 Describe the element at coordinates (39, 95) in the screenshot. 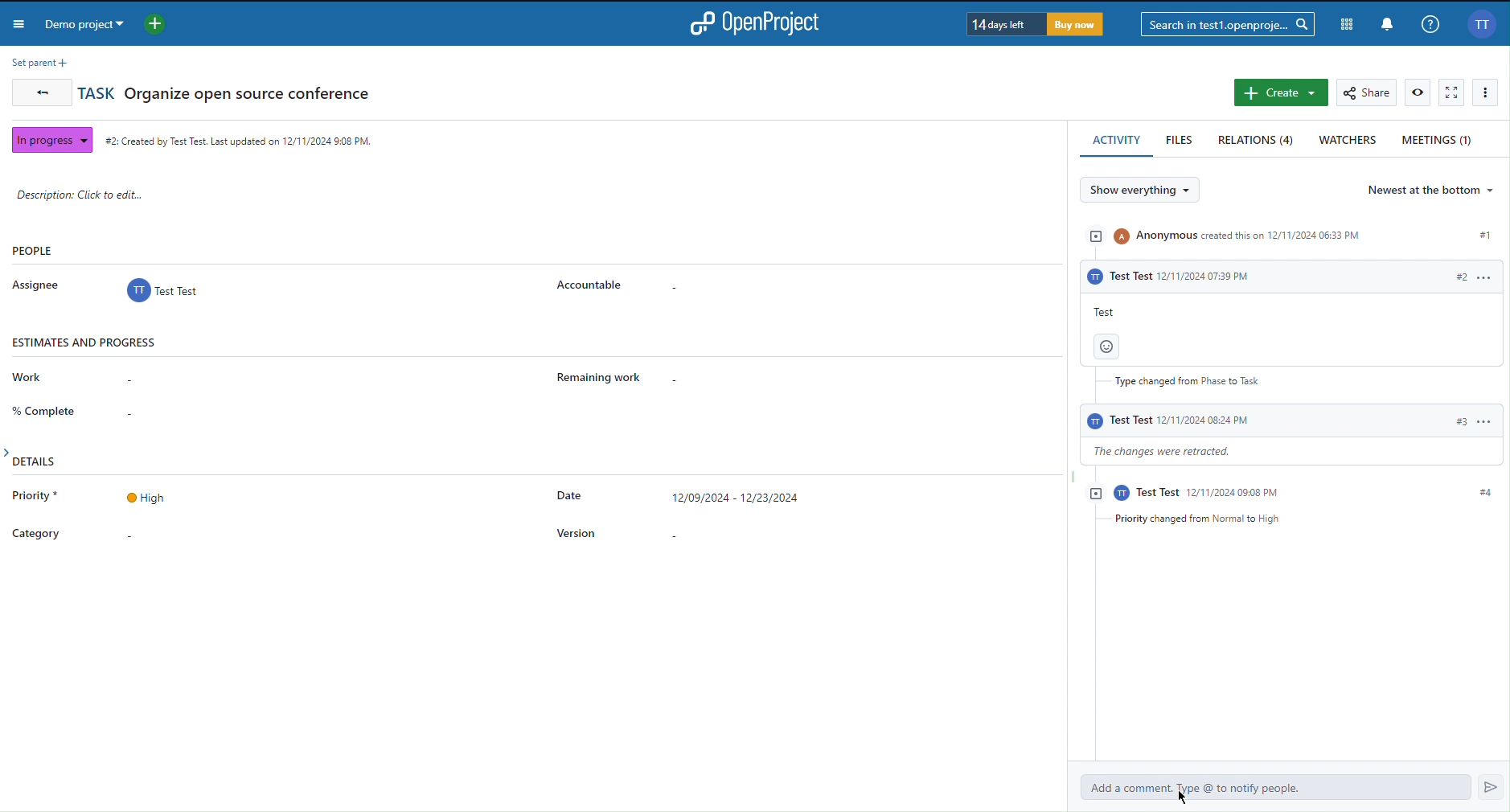

I see `Back` at that location.